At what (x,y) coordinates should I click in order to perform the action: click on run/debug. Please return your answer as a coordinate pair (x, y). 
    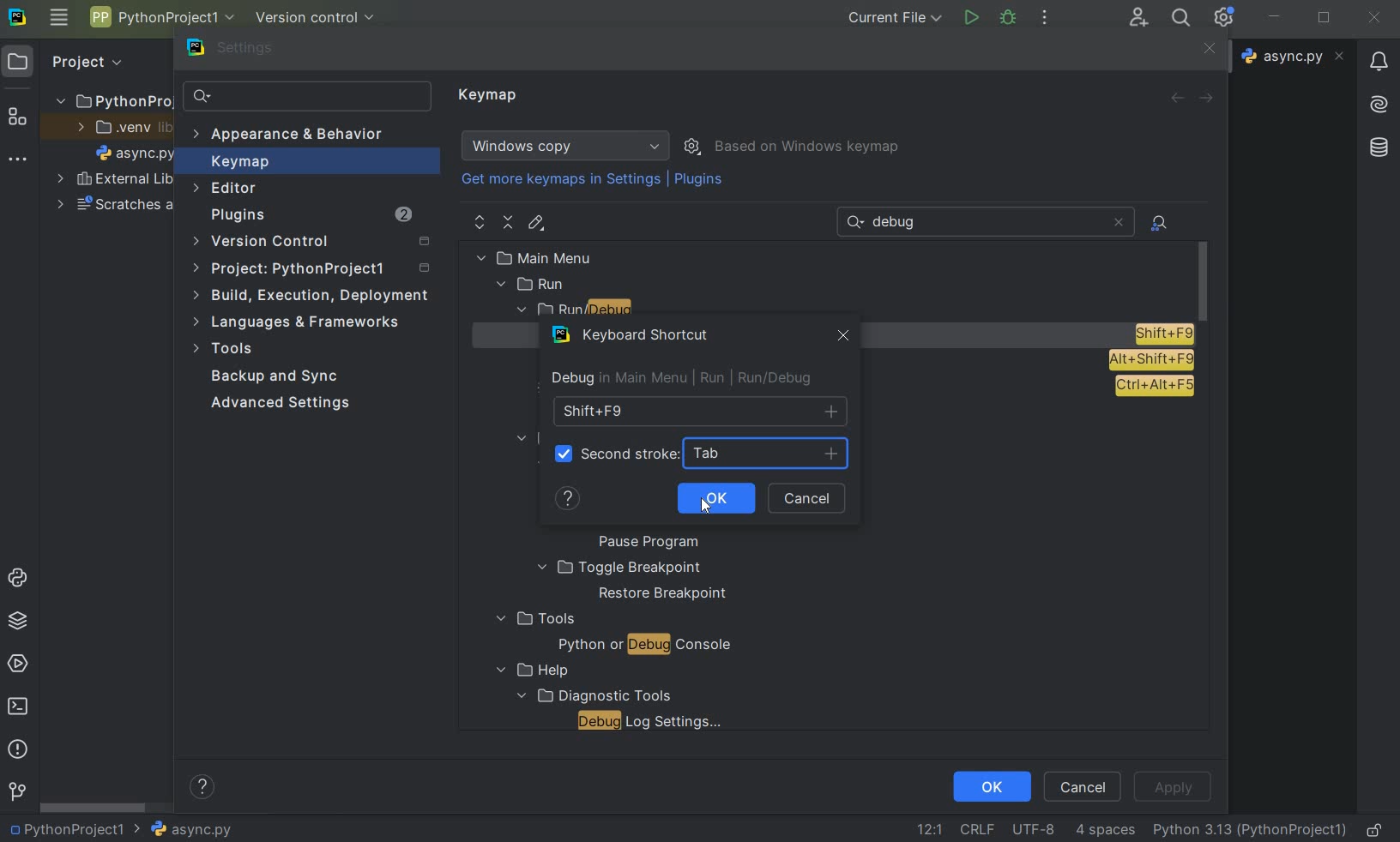
    Looking at the image, I should click on (609, 311).